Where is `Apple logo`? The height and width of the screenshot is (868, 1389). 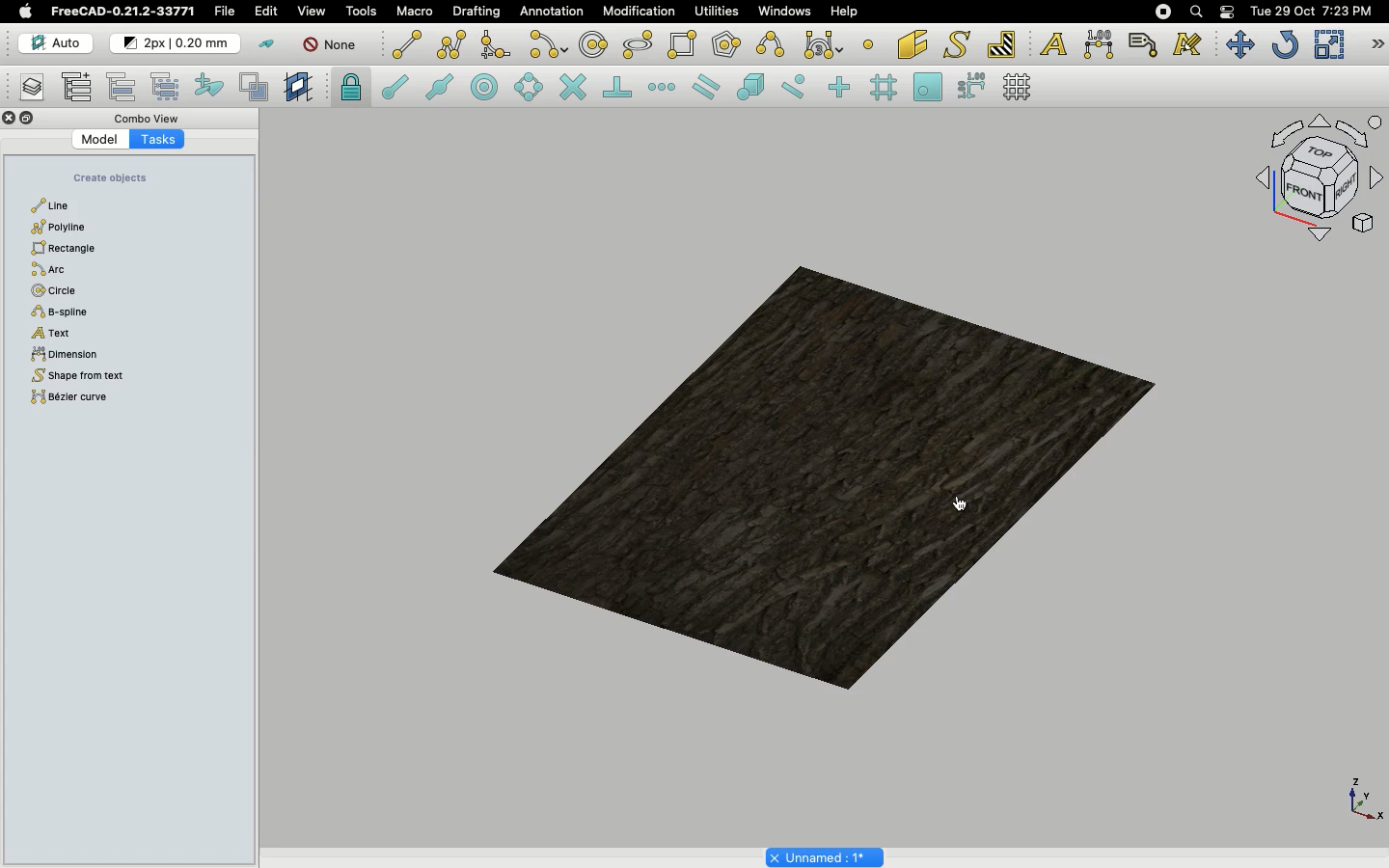 Apple logo is located at coordinates (25, 11).